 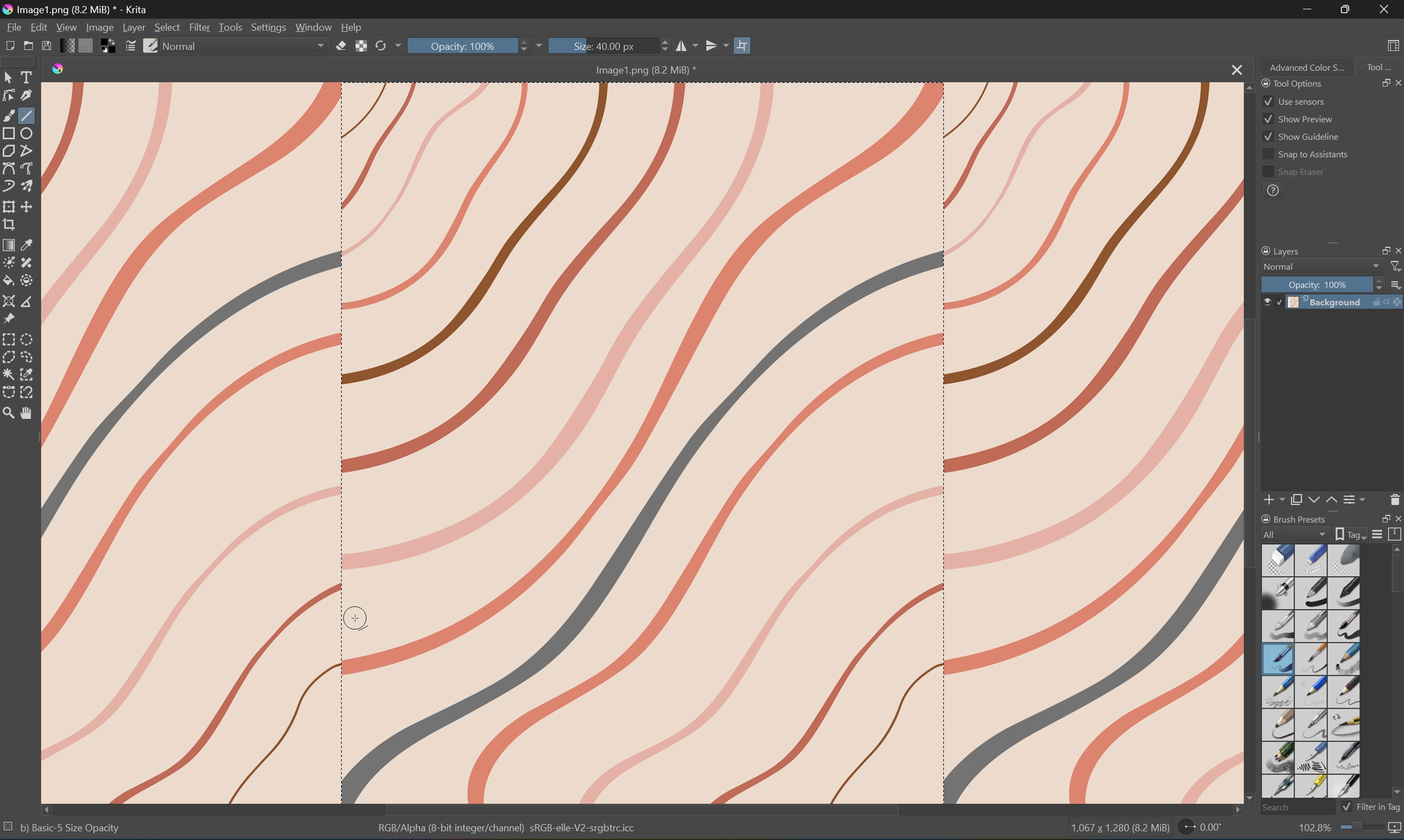 I want to click on Measure the distance between two points, so click(x=27, y=302).